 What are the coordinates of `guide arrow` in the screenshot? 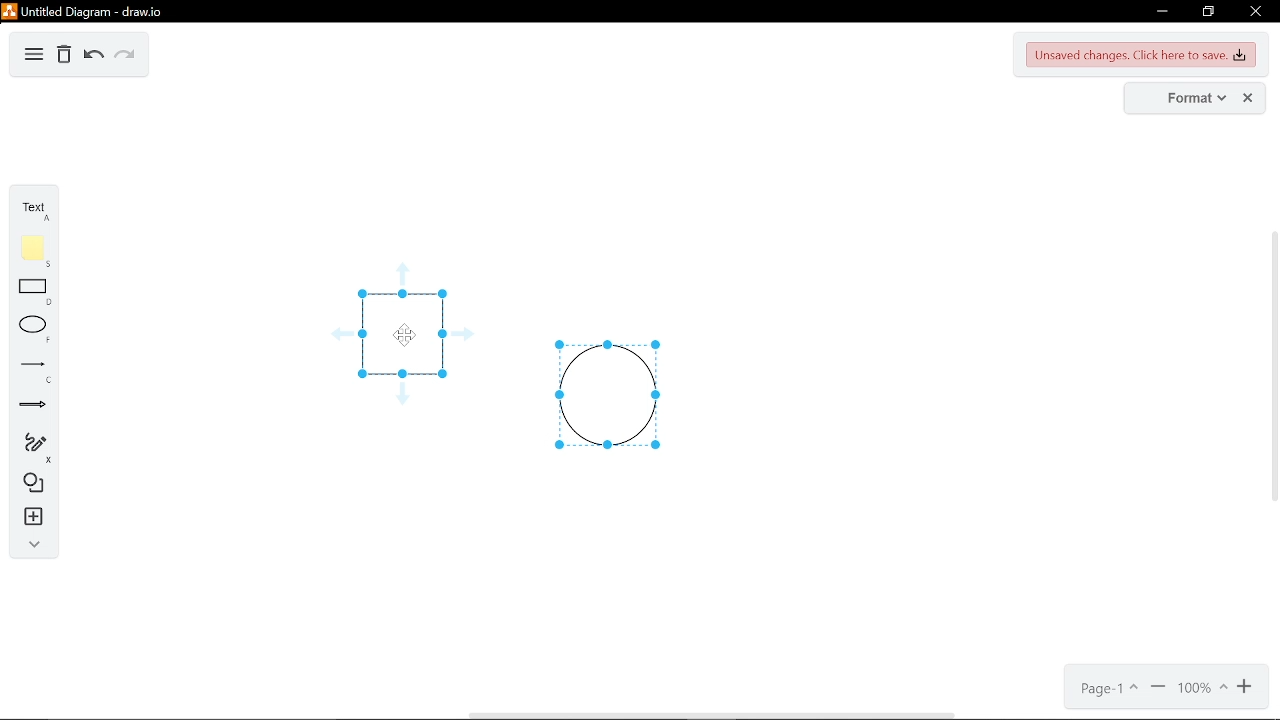 It's located at (403, 273).